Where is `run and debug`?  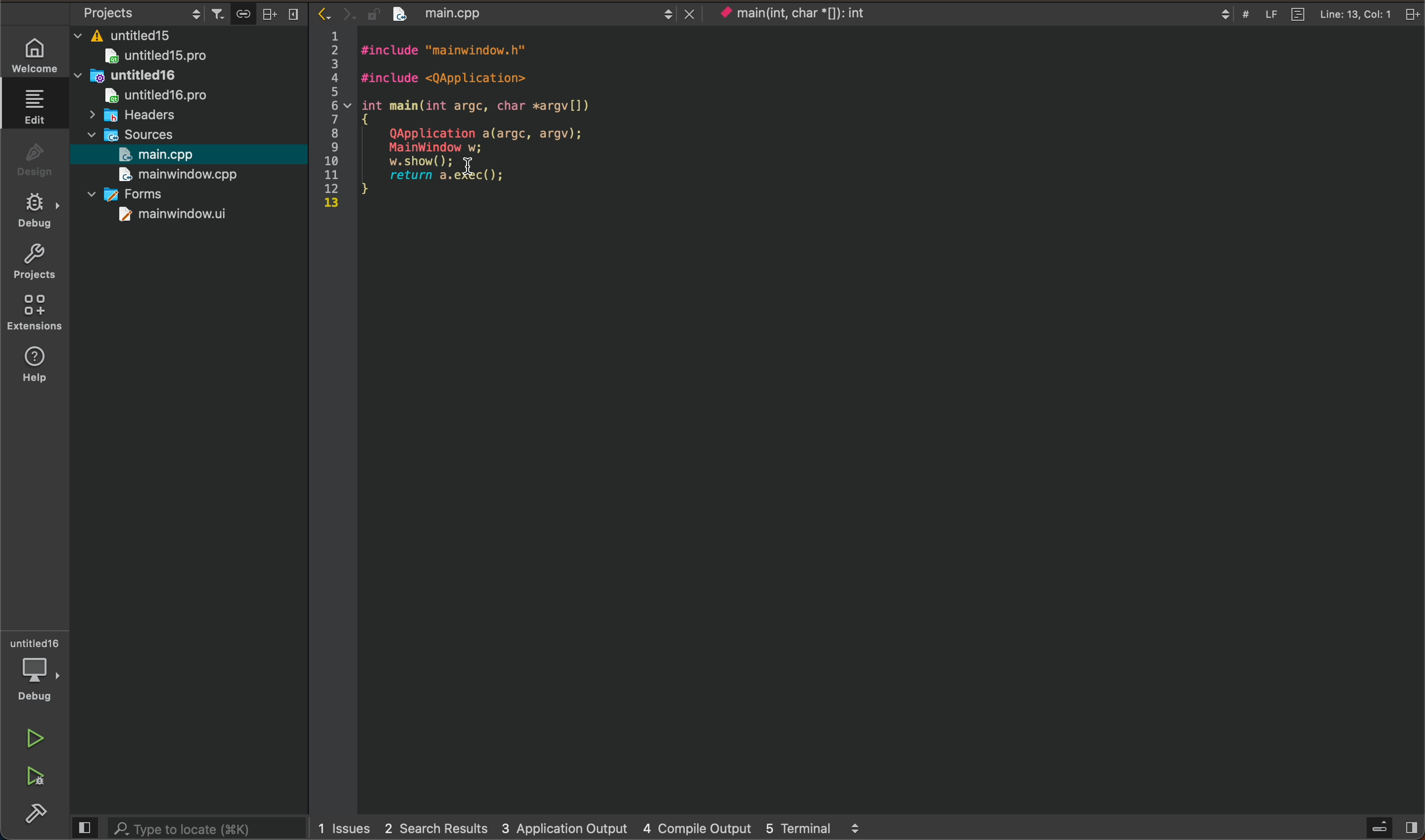 run and debug is located at coordinates (29, 775).